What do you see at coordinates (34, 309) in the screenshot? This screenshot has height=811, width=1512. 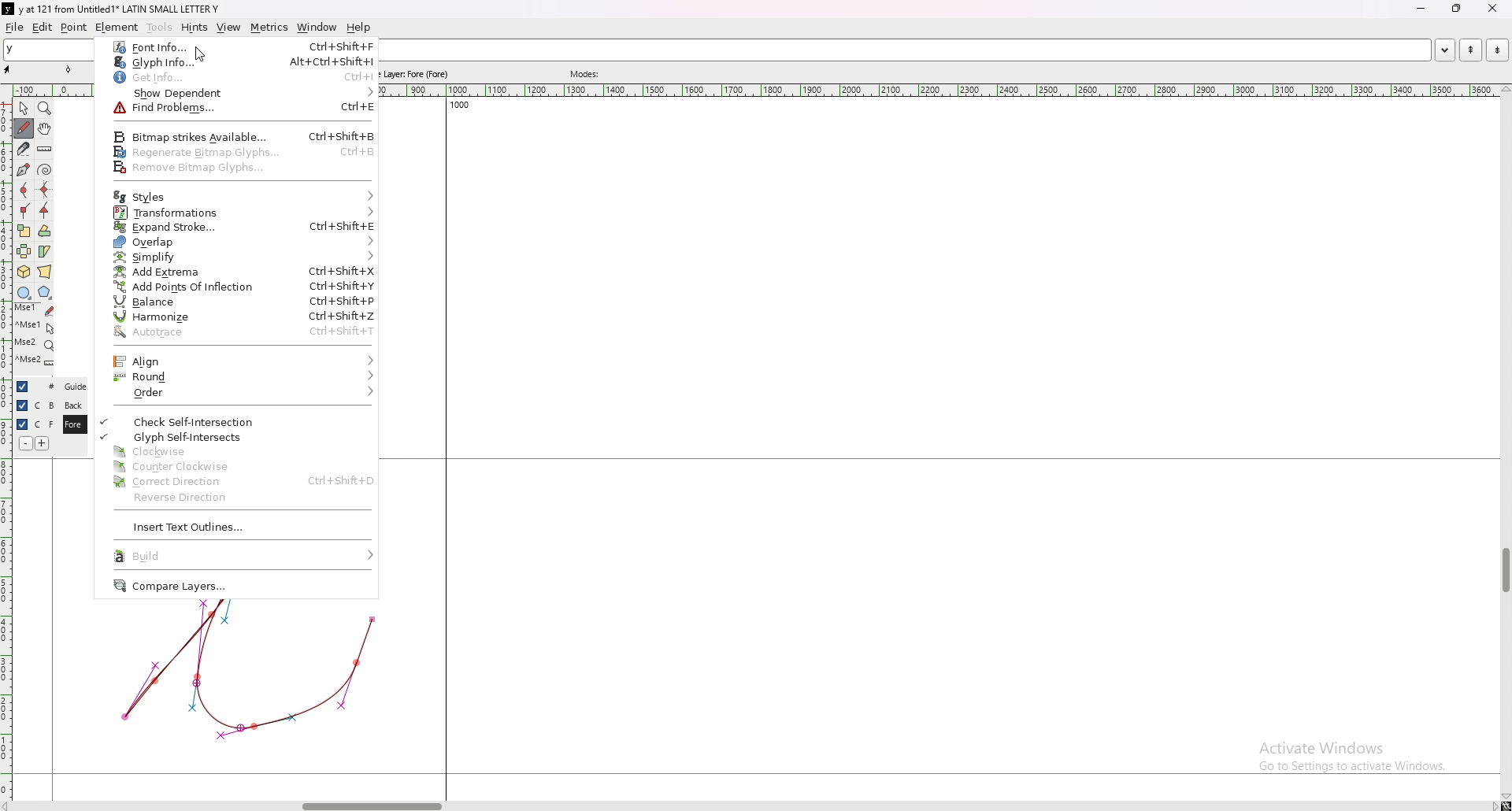 I see `mse 1` at bounding box center [34, 309].